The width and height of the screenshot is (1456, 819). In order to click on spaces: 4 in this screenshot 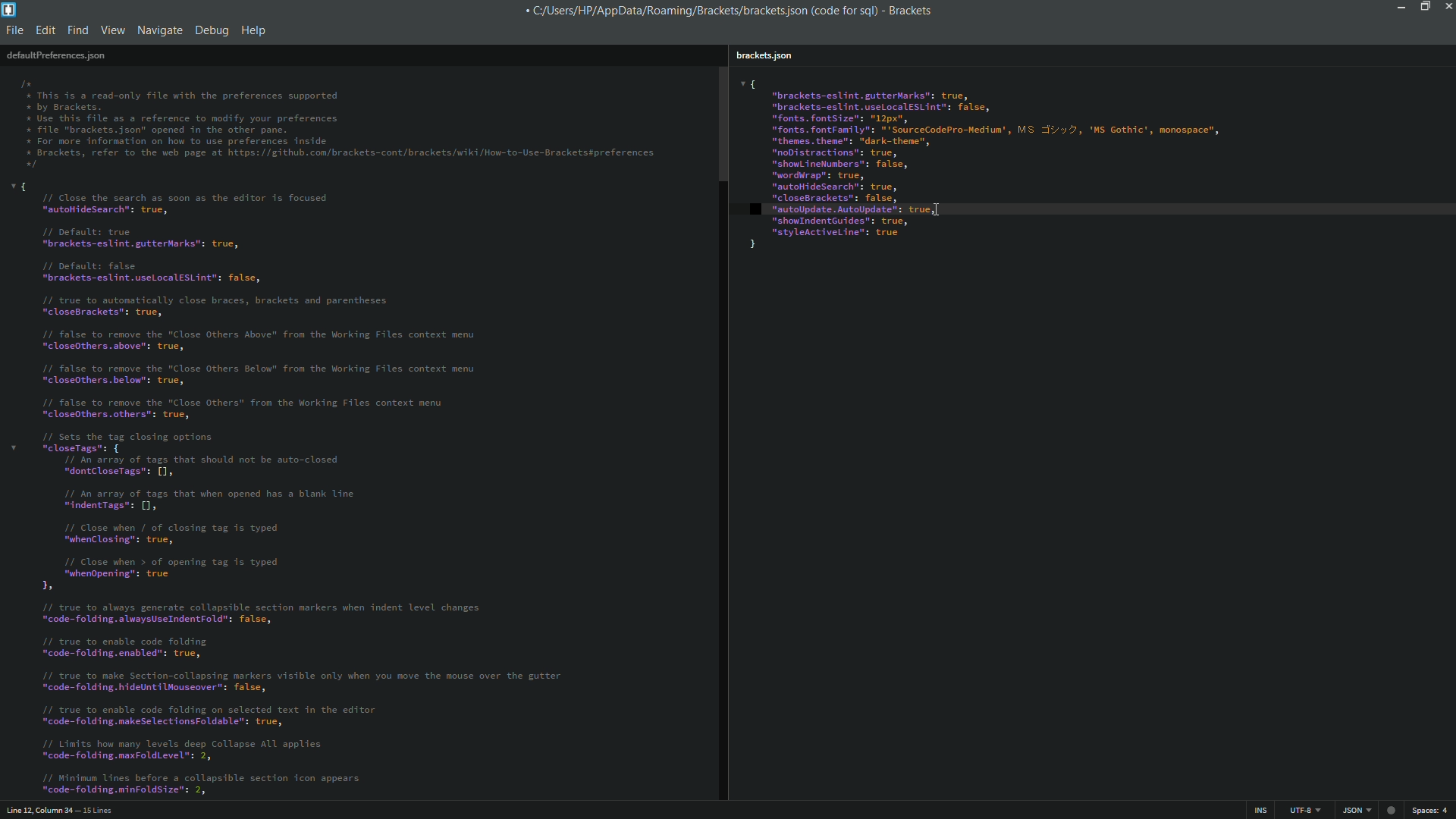, I will do `click(1432, 810)`.